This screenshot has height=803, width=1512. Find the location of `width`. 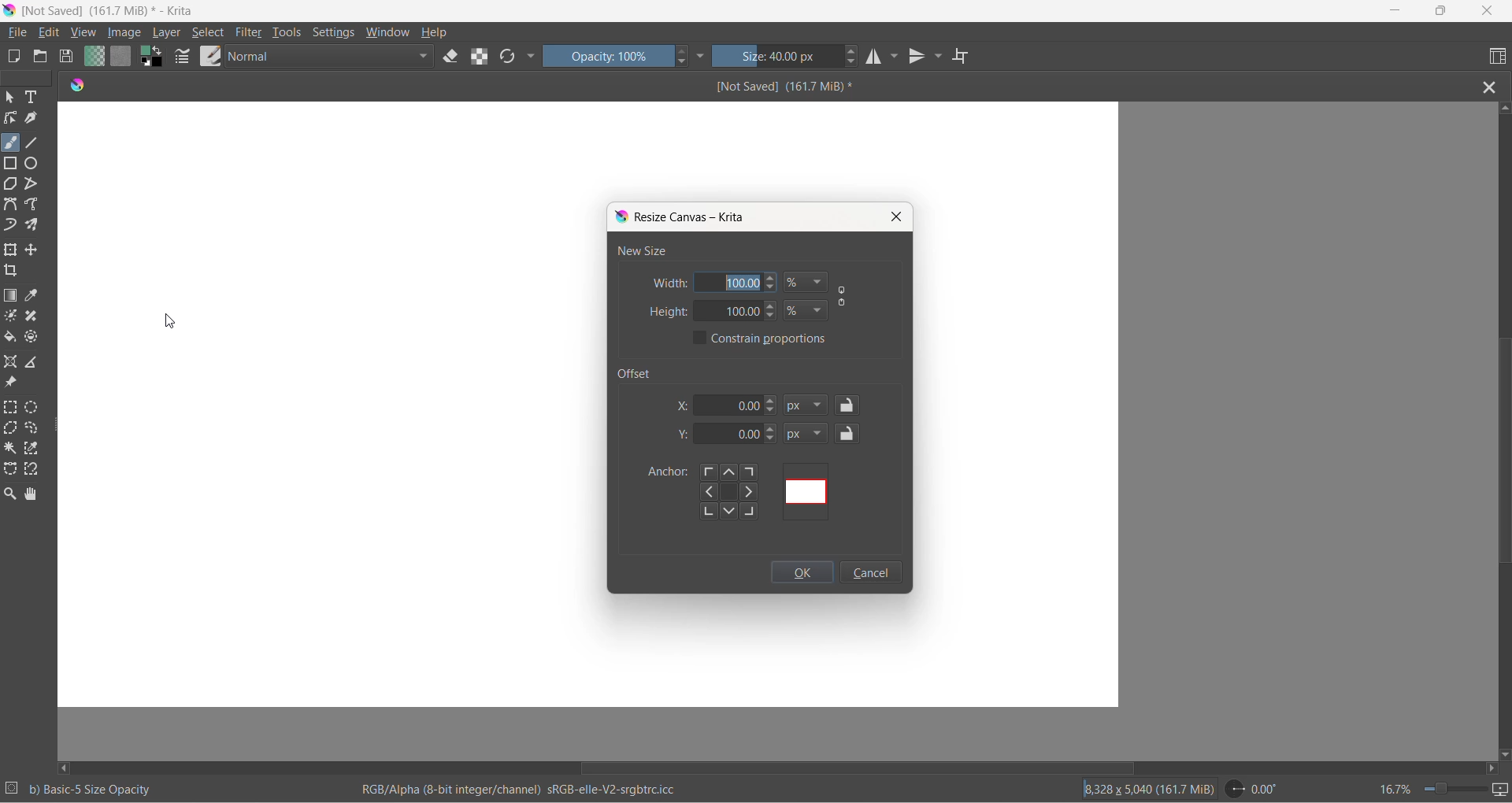

width is located at coordinates (669, 283).